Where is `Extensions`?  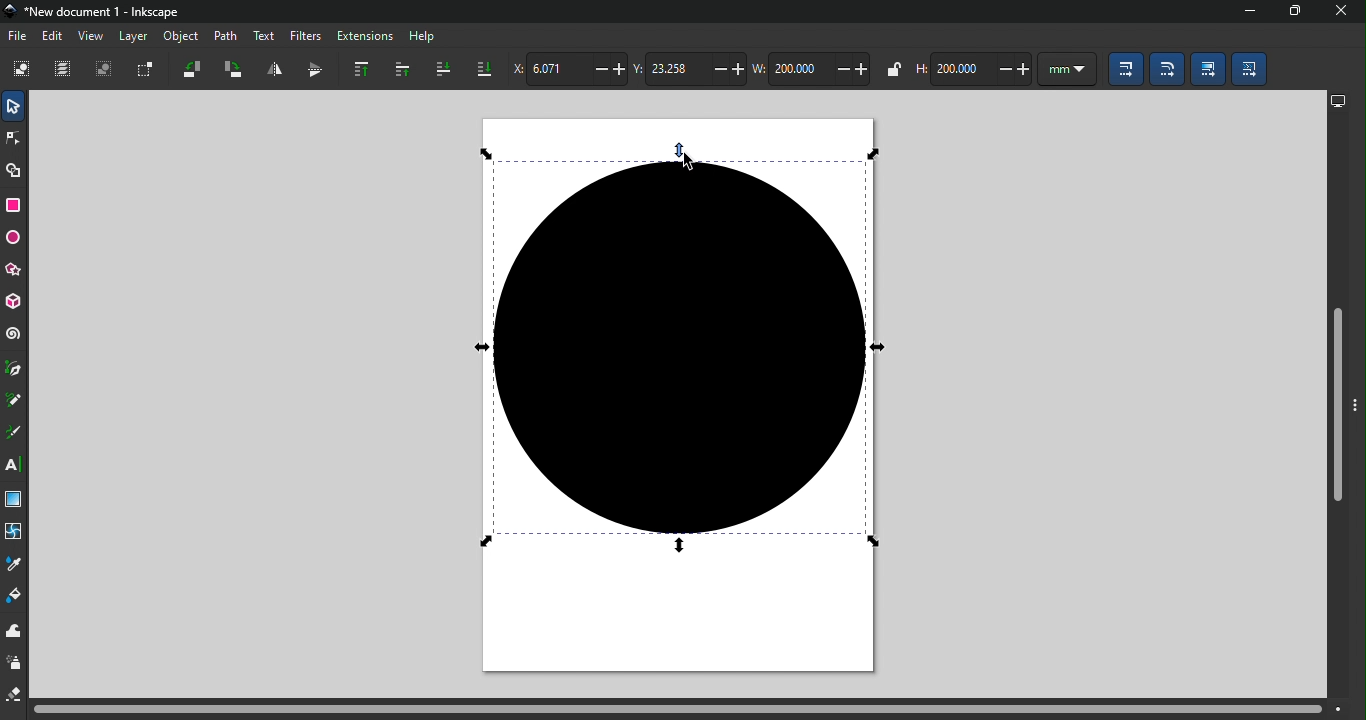
Extensions is located at coordinates (365, 36).